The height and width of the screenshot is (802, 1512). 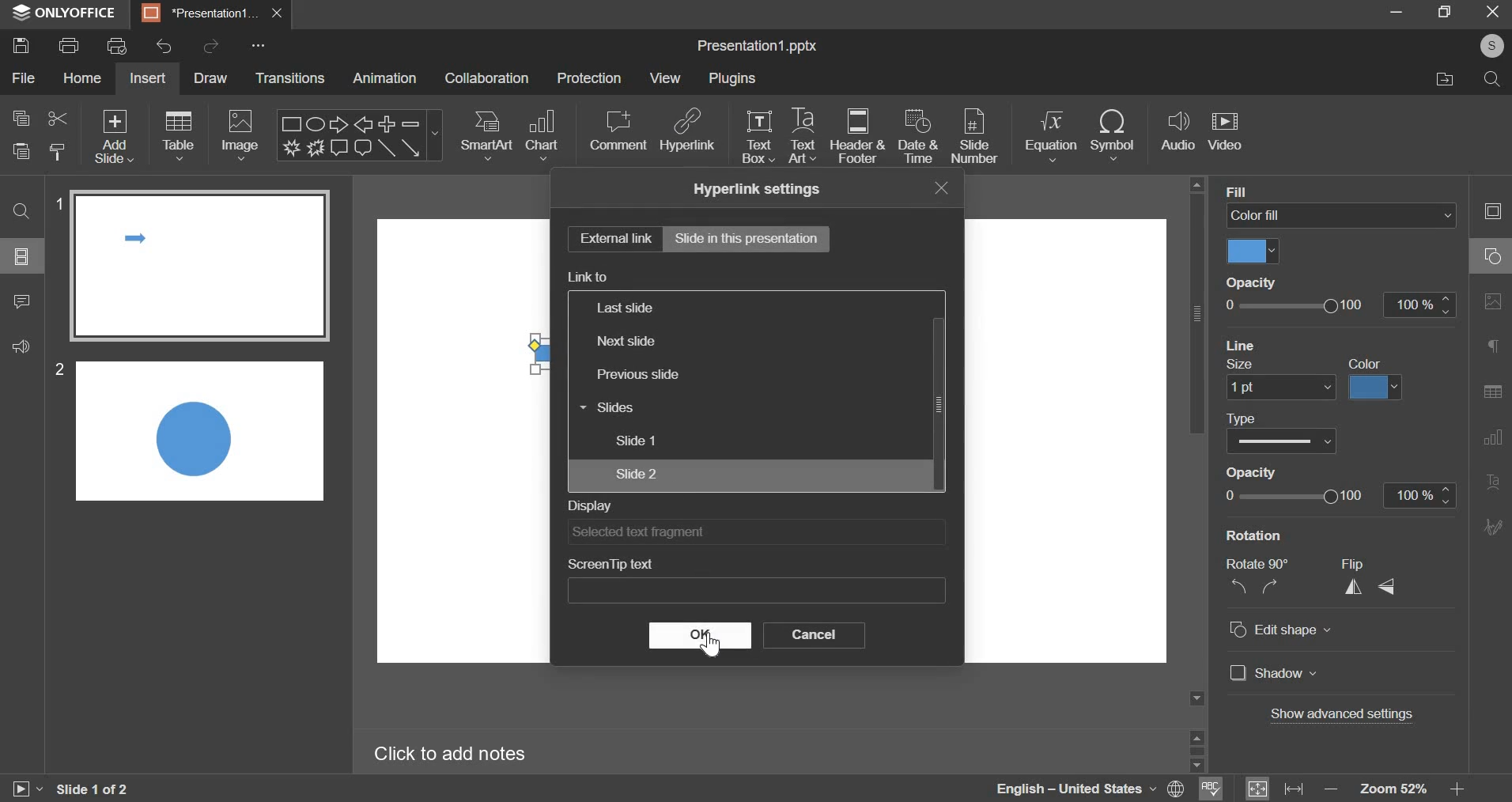 What do you see at coordinates (1197, 183) in the screenshot?
I see `scroll up` at bounding box center [1197, 183].